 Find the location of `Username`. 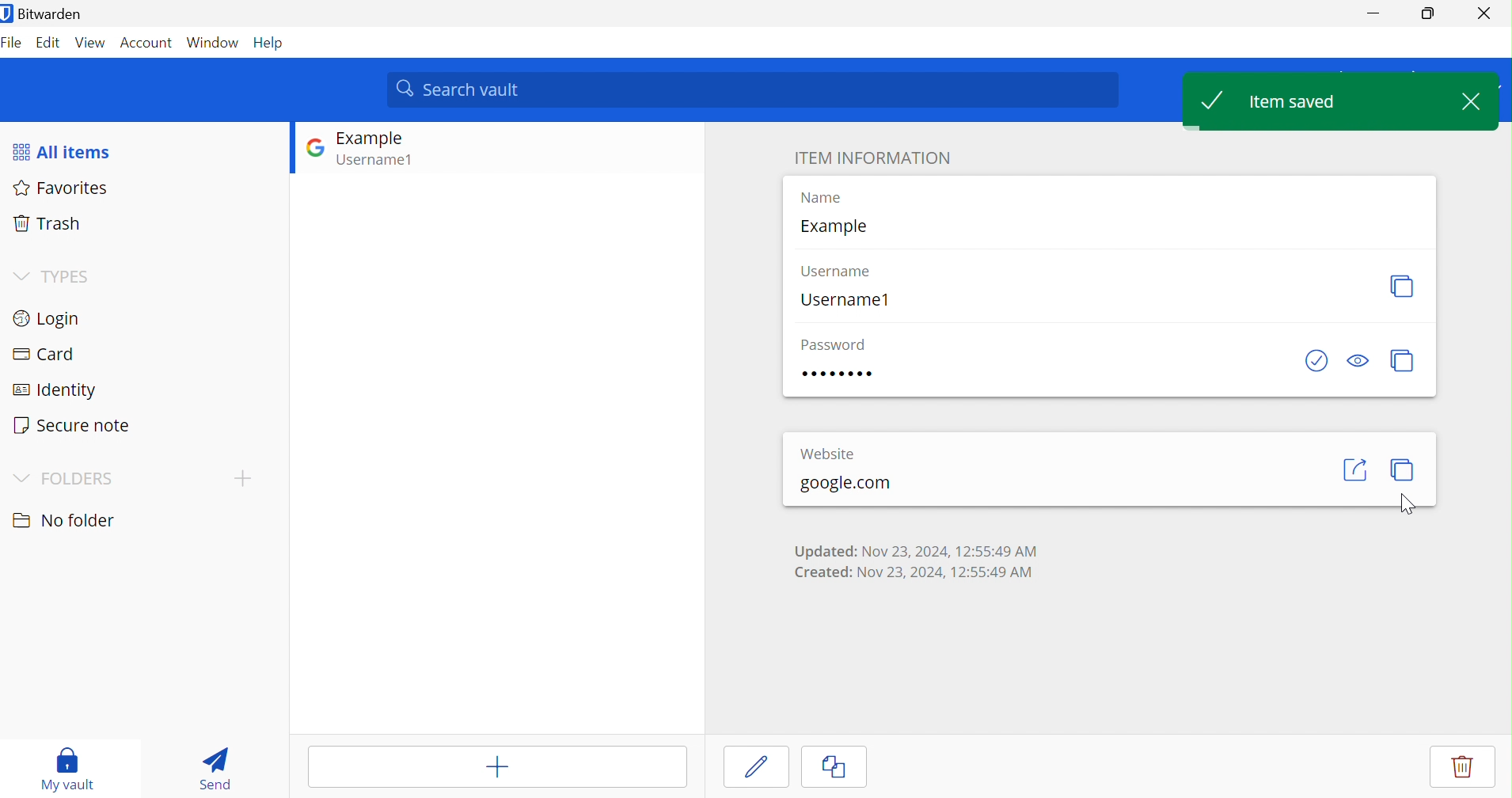

Username is located at coordinates (838, 270).